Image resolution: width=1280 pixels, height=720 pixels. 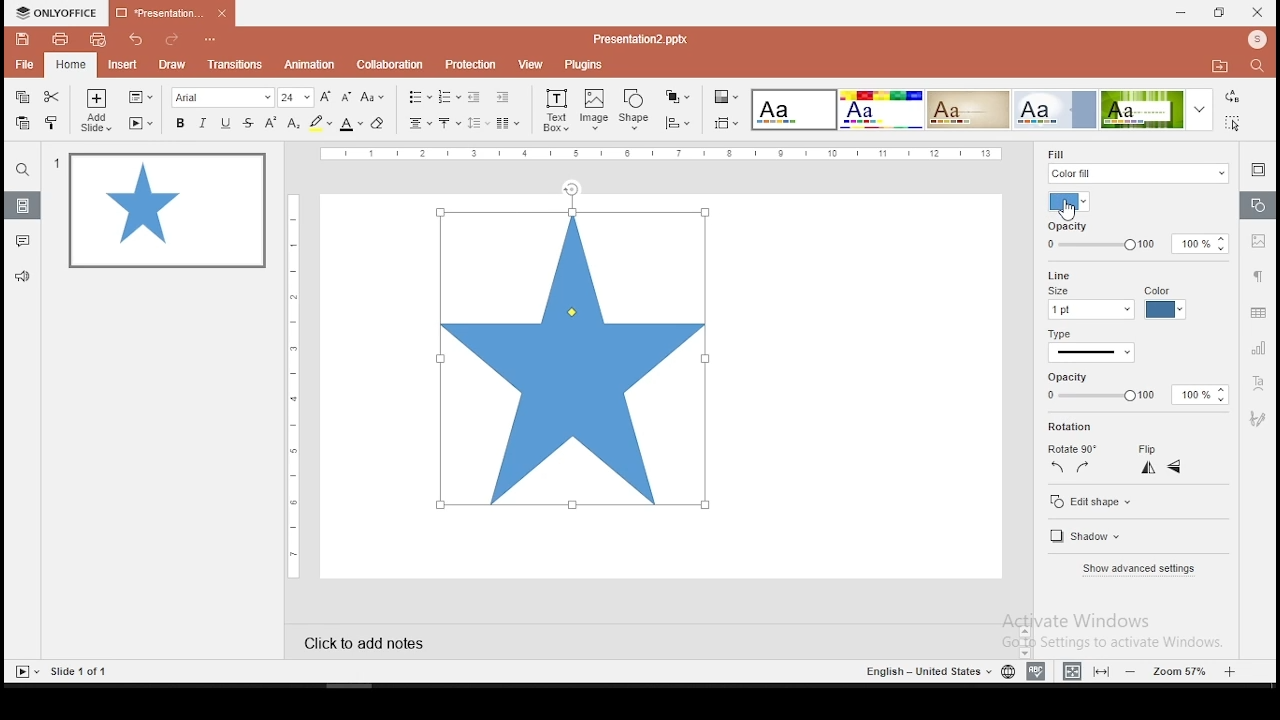 What do you see at coordinates (1072, 670) in the screenshot?
I see `fit to width` at bounding box center [1072, 670].